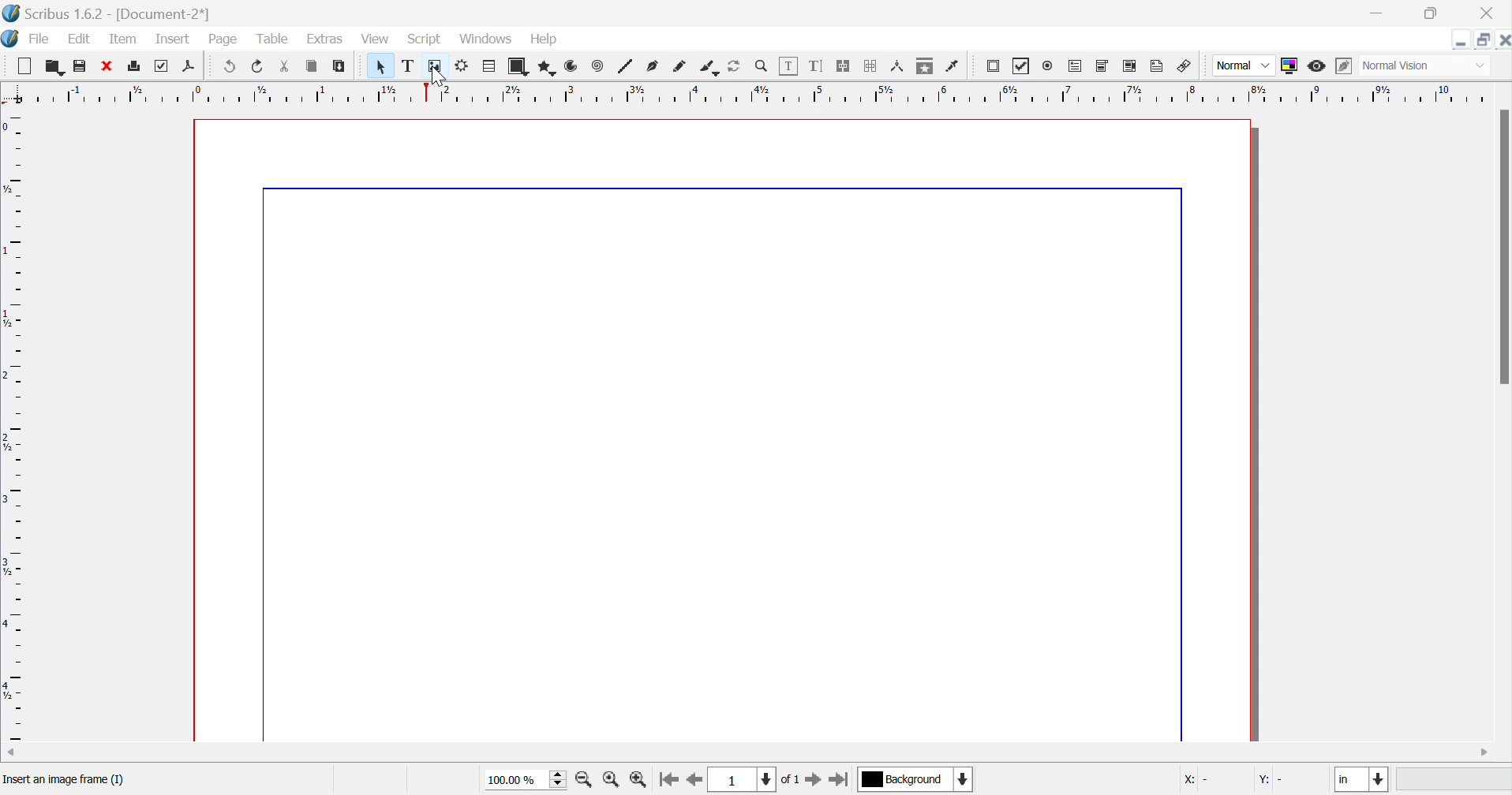 The width and height of the screenshot is (1512, 795). I want to click on close, so click(105, 66).